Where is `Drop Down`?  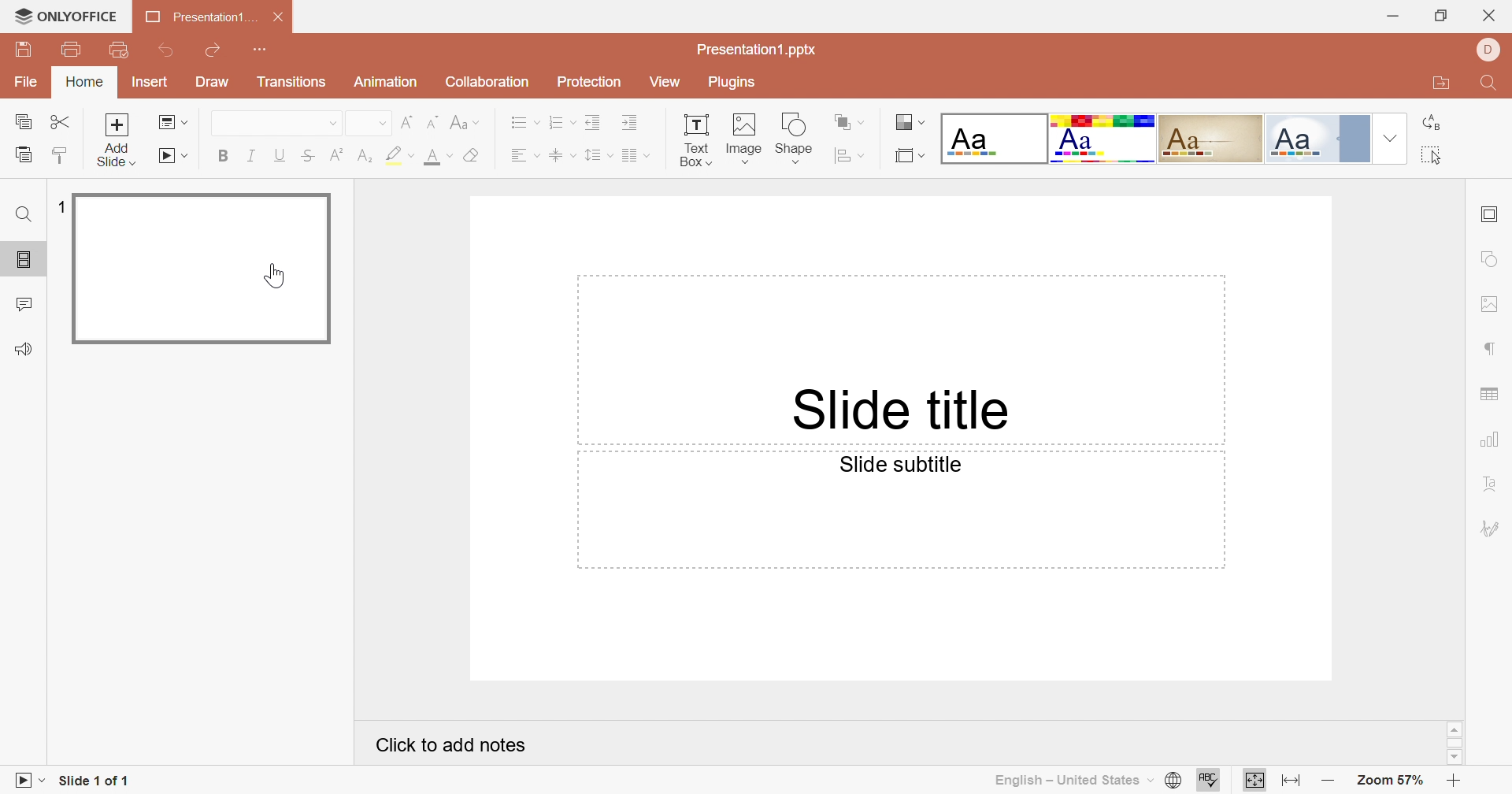
Drop Down is located at coordinates (647, 155).